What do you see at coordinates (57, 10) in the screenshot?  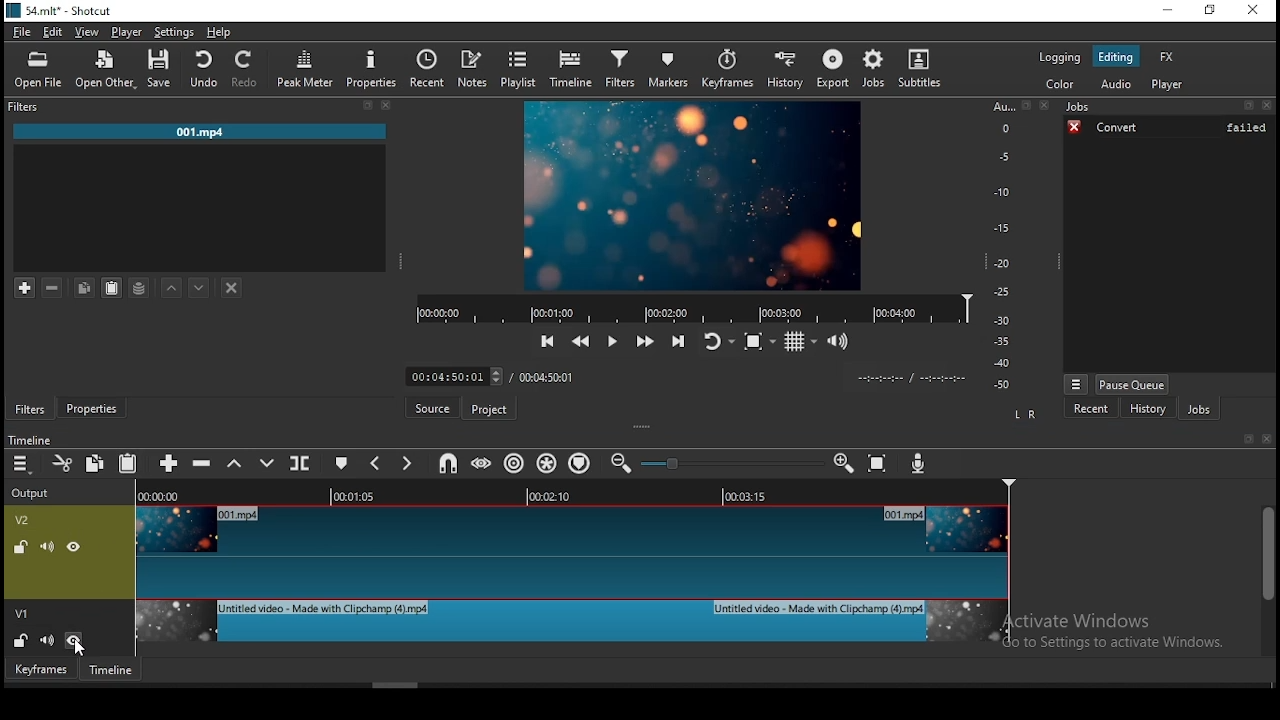 I see `54 mlt* -shotcut` at bounding box center [57, 10].